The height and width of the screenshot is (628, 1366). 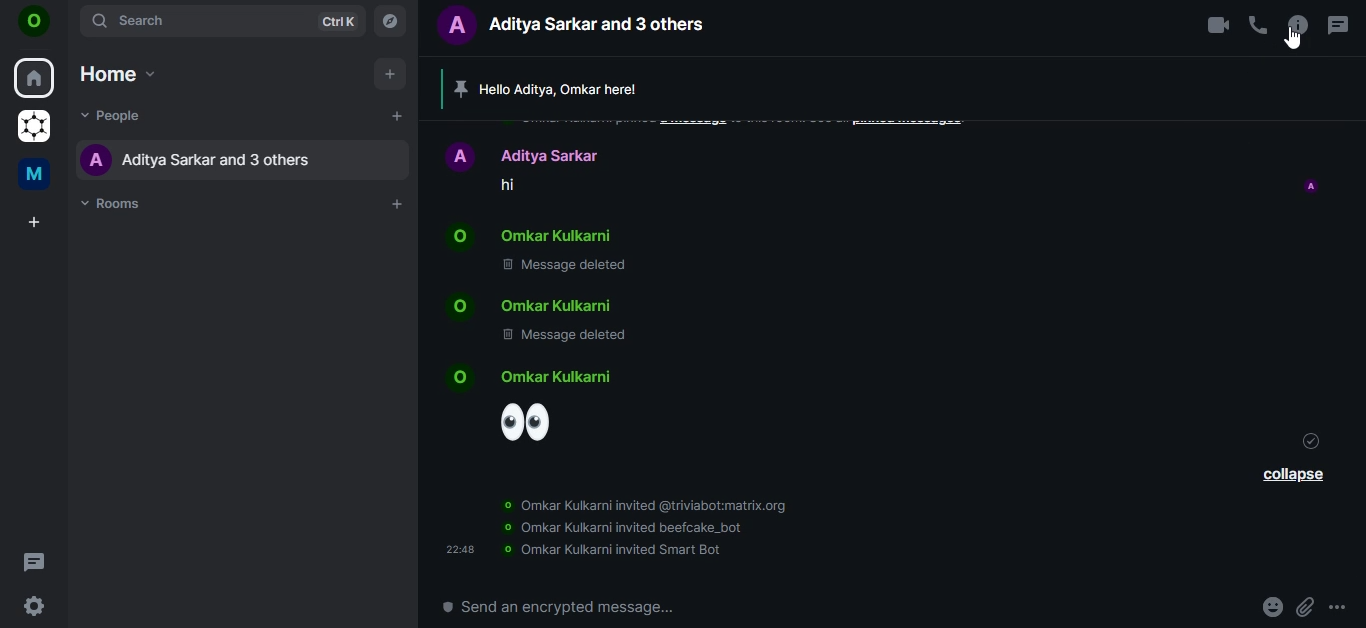 I want to click on options, so click(x=1339, y=606).